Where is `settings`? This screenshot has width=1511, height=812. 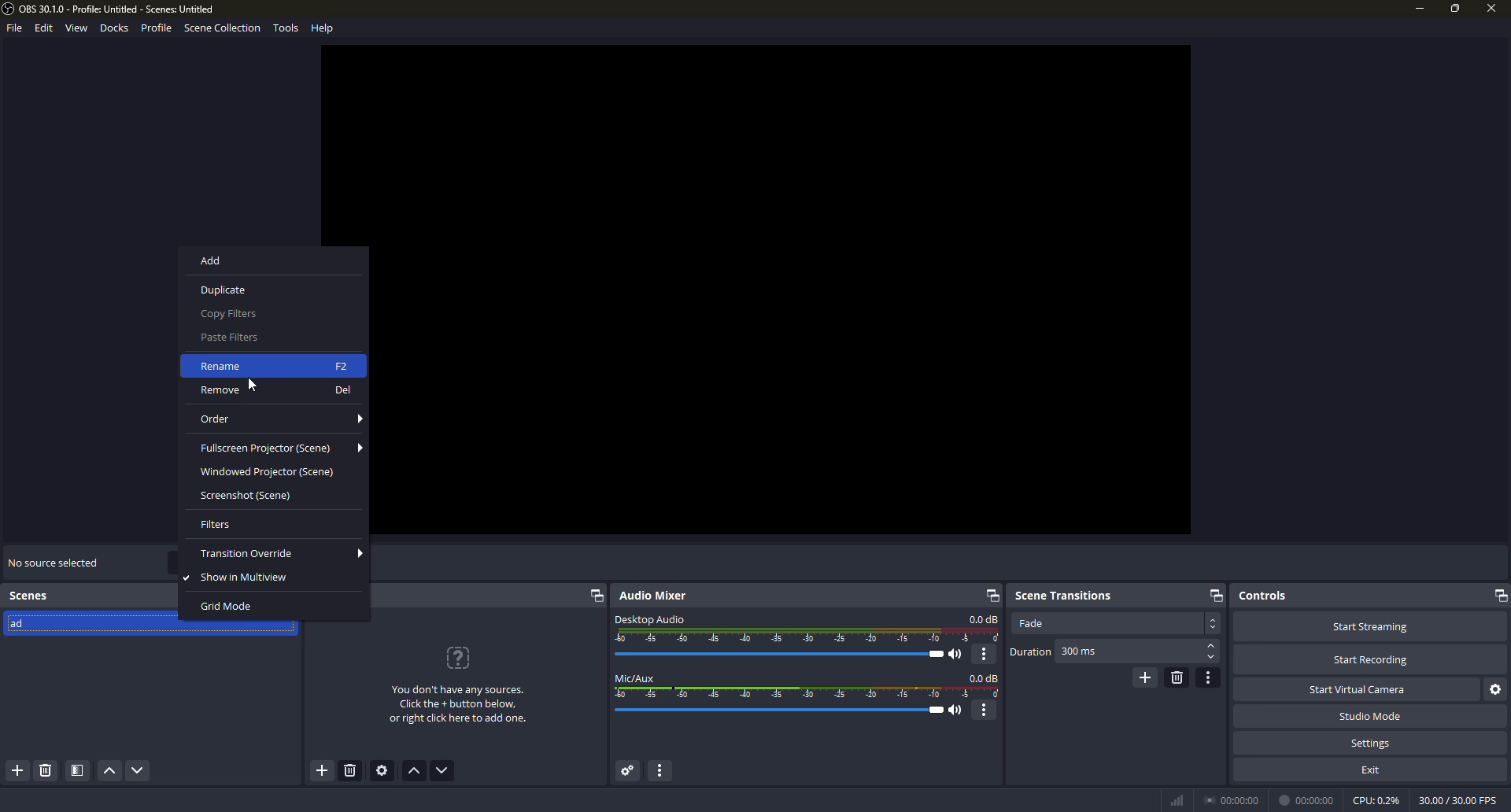
settings is located at coordinates (1372, 743).